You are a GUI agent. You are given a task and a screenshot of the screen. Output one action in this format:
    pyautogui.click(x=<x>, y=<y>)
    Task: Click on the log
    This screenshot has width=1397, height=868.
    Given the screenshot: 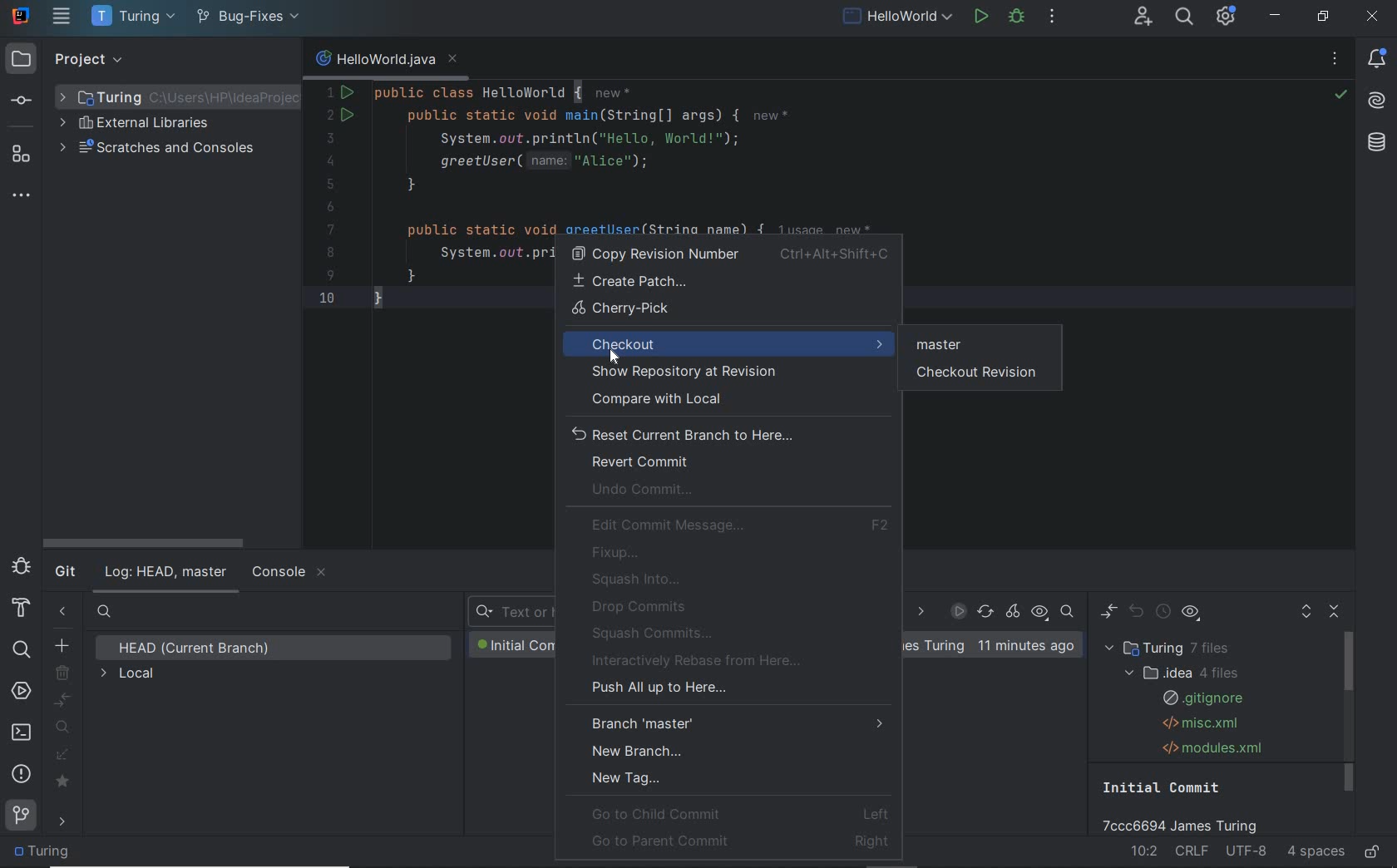 What is the action you would take?
    pyautogui.click(x=165, y=573)
    